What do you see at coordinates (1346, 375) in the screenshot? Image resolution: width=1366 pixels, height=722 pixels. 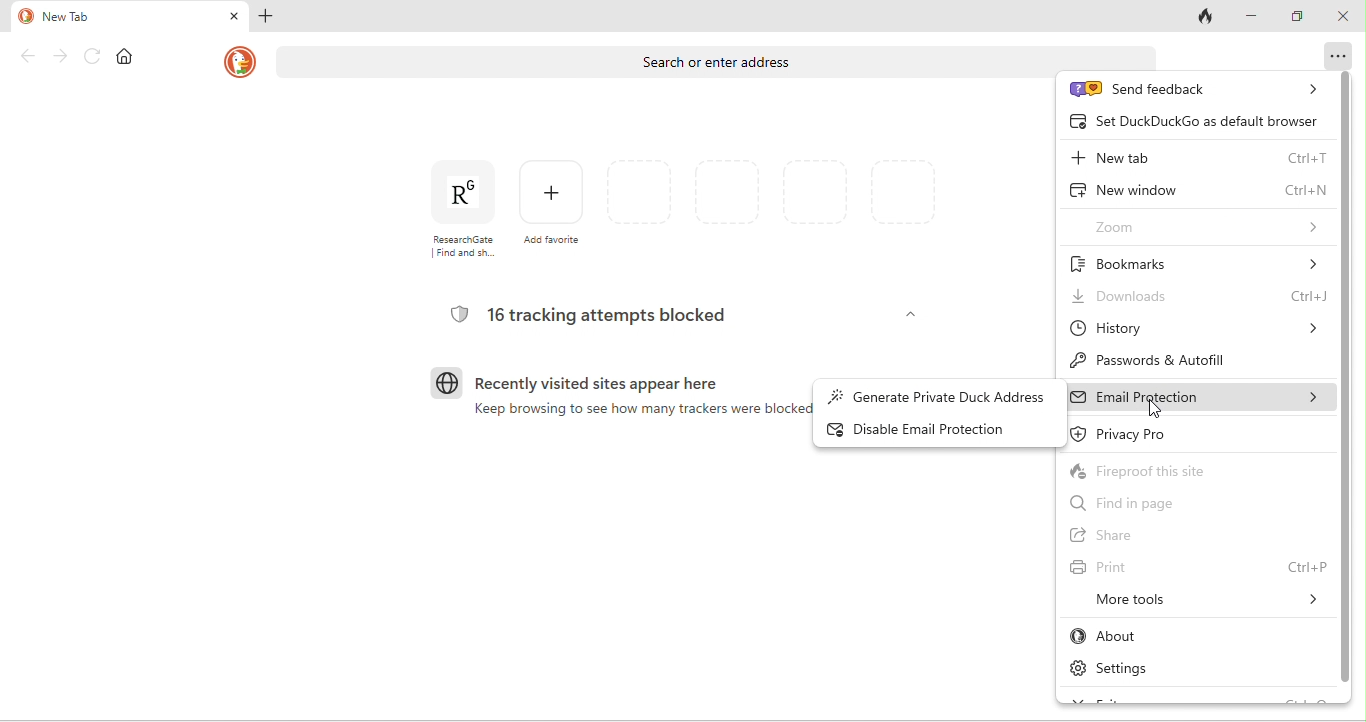 I see `vertical scoll bar` at bounding box center [1346, 375].